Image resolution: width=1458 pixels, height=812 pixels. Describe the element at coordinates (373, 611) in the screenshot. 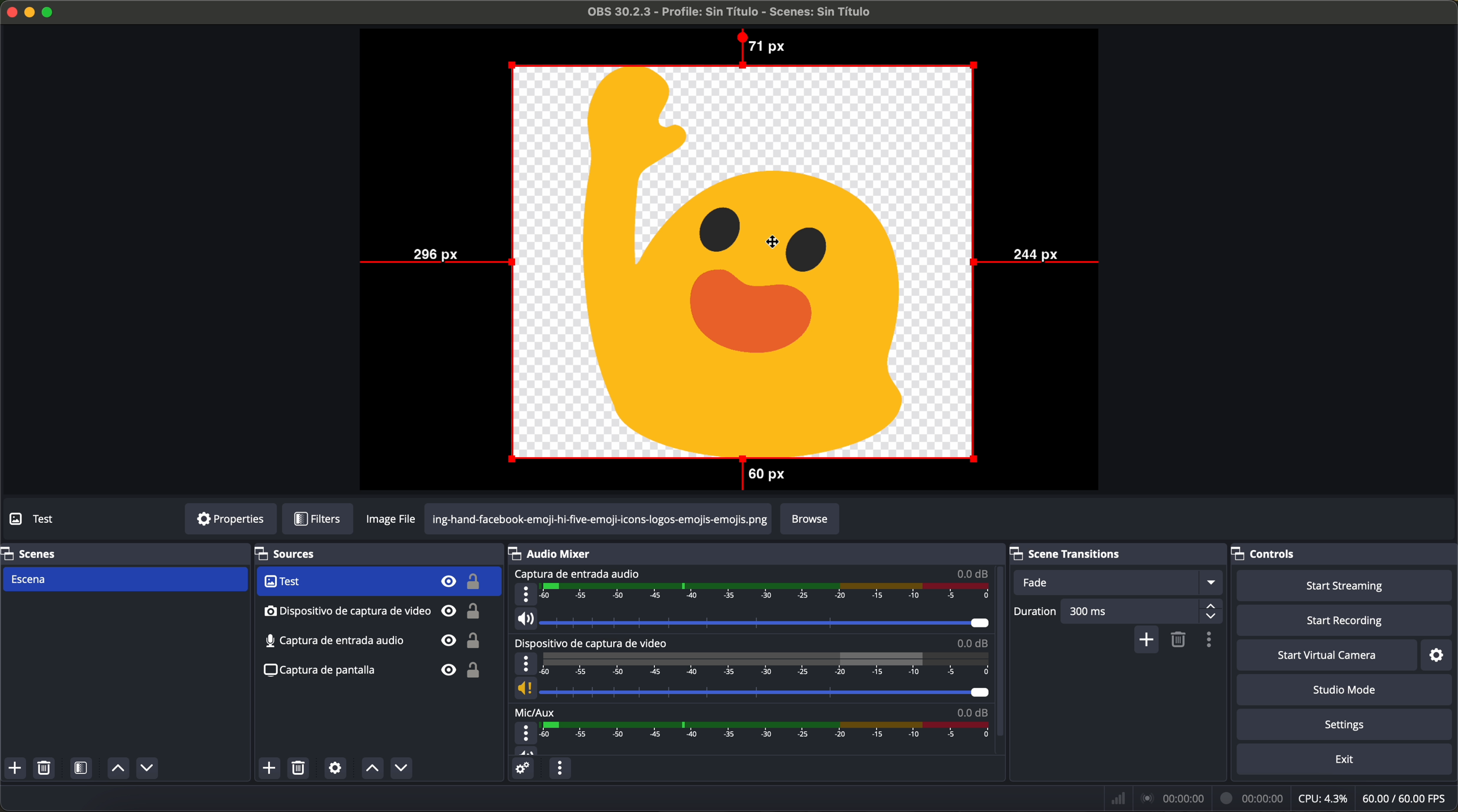

I see `audio input capture` at that location.